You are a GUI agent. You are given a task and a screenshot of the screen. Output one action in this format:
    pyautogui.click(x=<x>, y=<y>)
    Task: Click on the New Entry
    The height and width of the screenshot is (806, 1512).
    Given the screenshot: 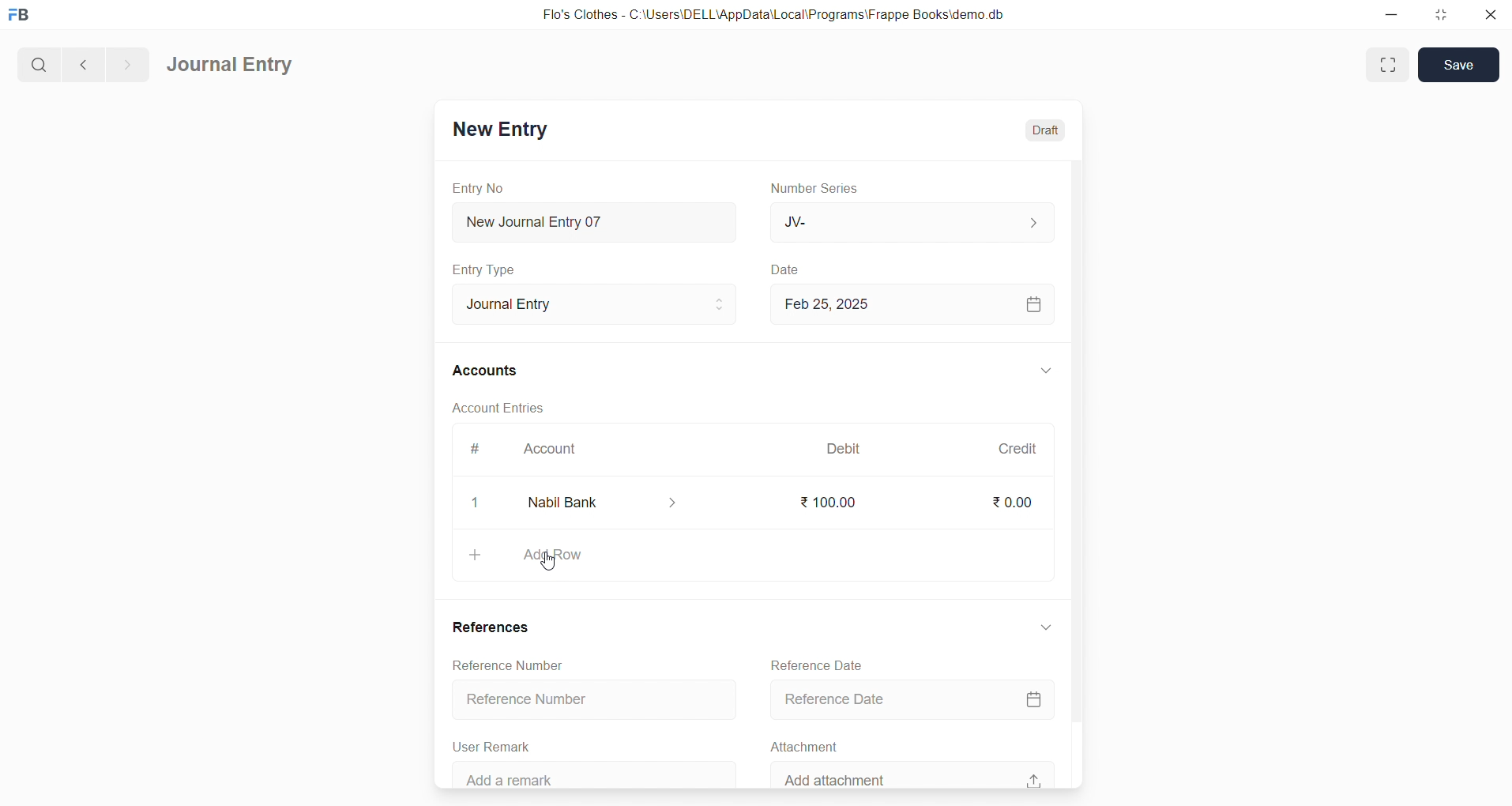 What is the action you would take?
    pyautogui.click(x=499, y=129)
    